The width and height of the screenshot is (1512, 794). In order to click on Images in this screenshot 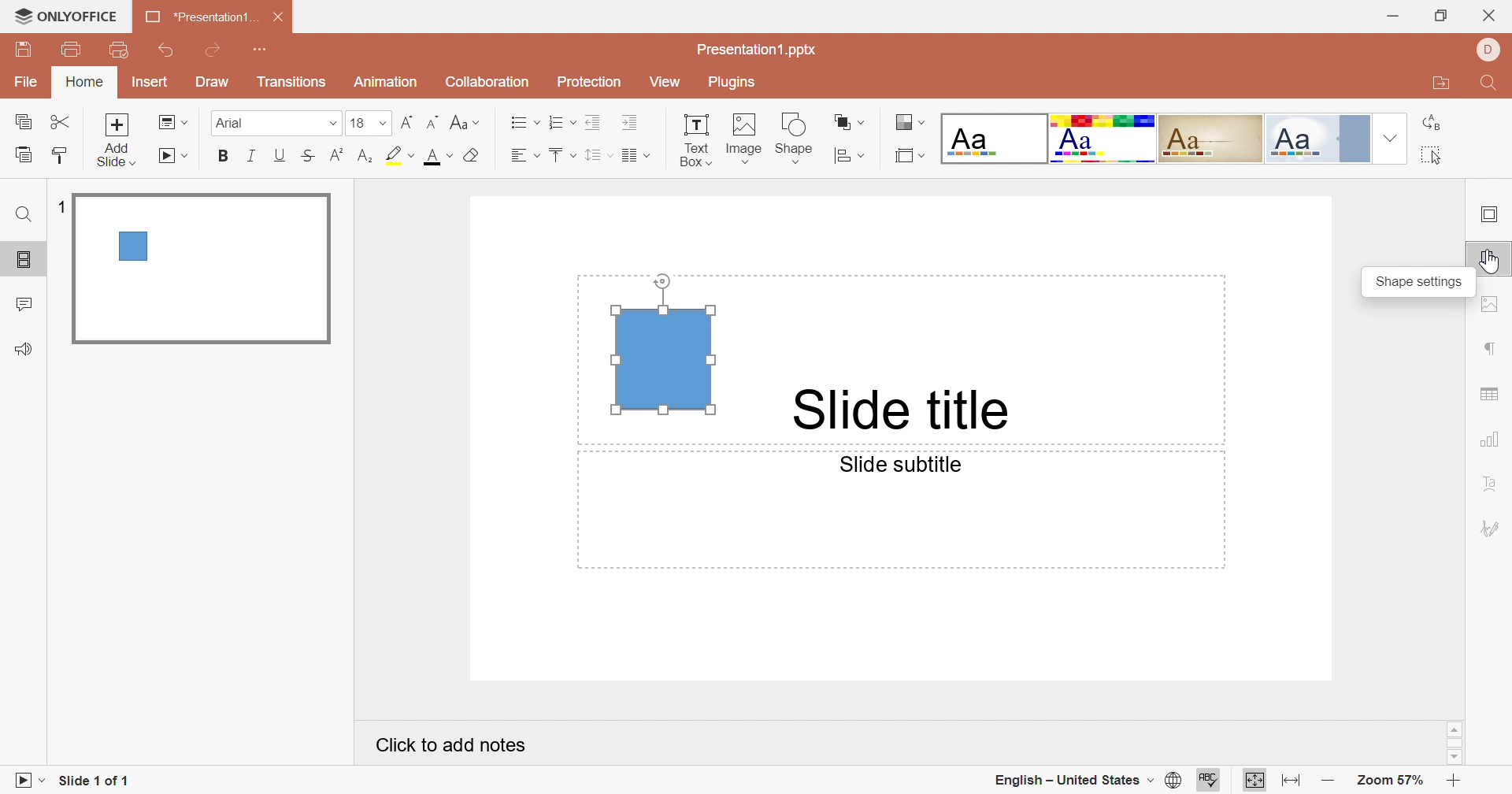, I will do `click(743, 137)`.